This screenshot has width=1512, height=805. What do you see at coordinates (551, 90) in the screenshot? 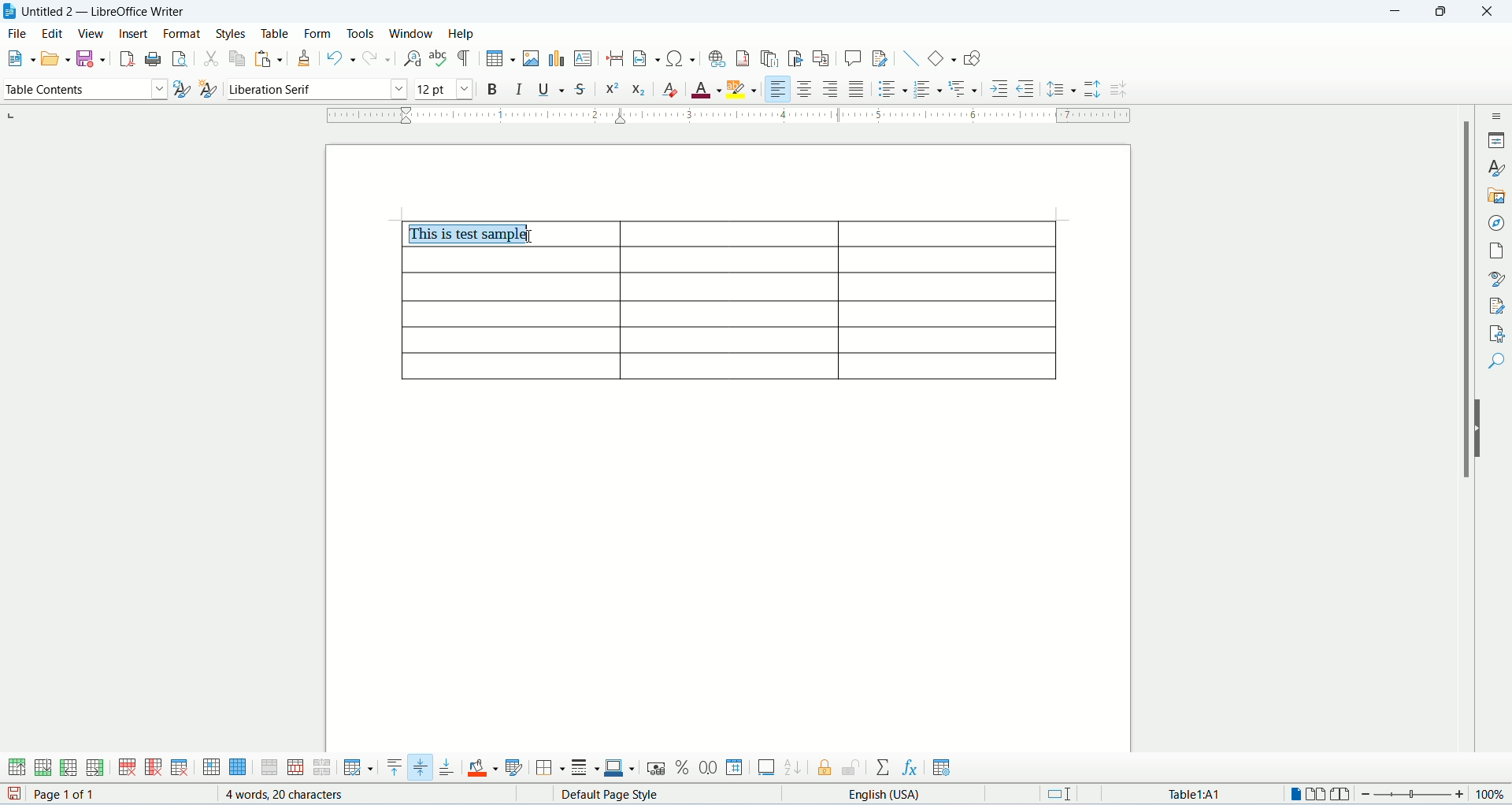
I see `underline` at bounding box center [551, 90].